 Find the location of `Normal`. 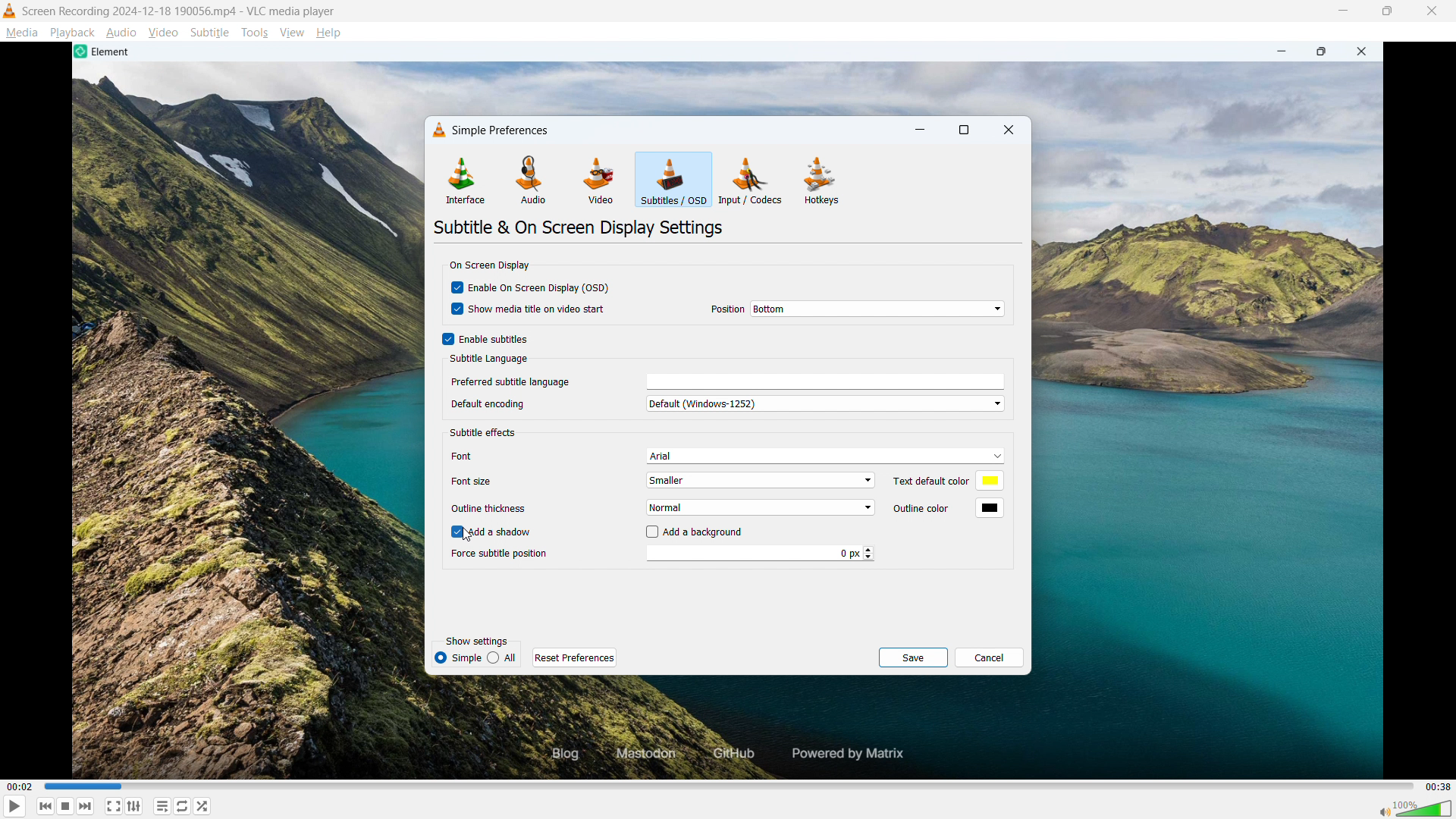

Normal is located at coordinates (761, 507).